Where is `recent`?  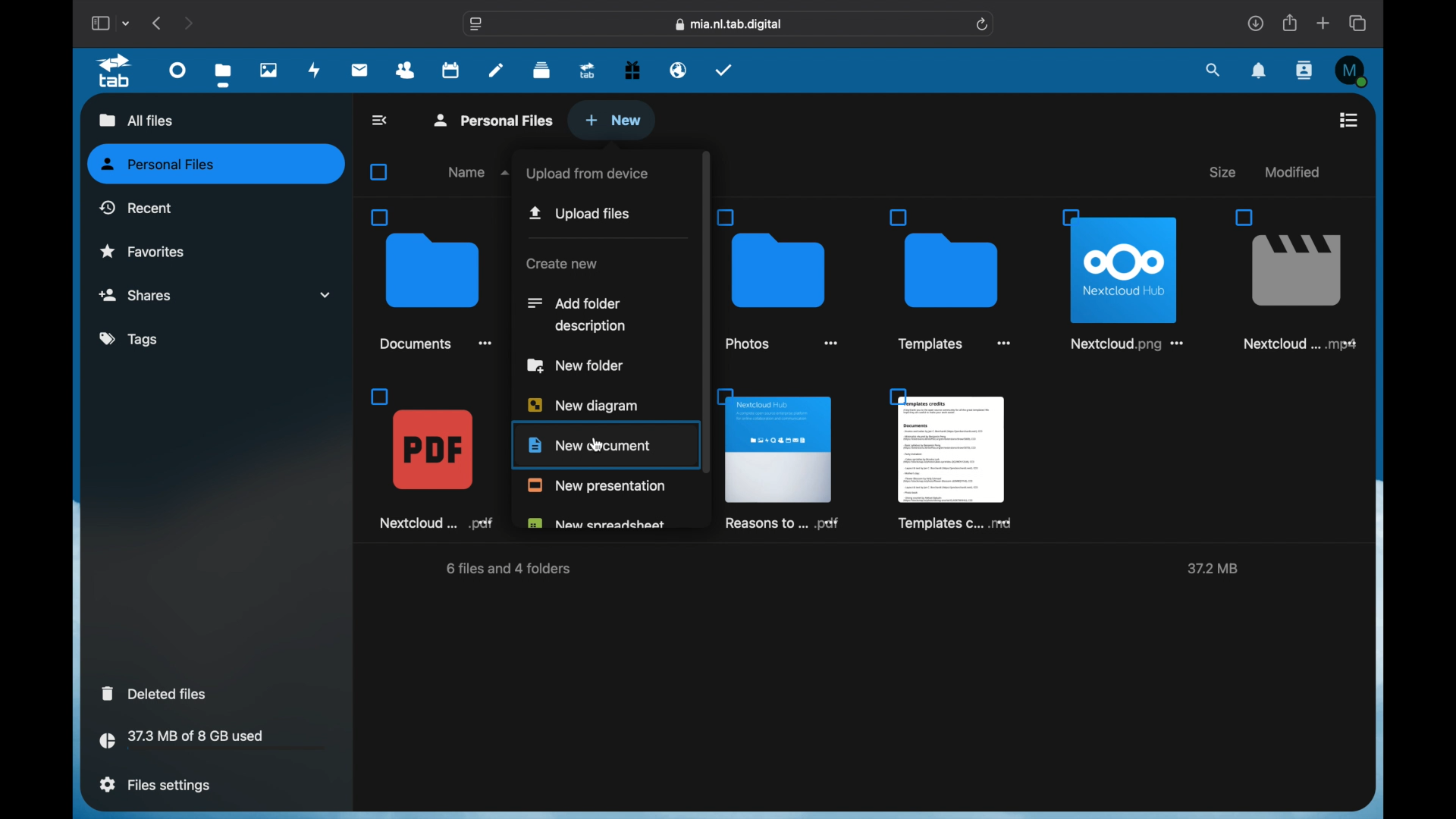
recent is located at coordinates (136, 207).